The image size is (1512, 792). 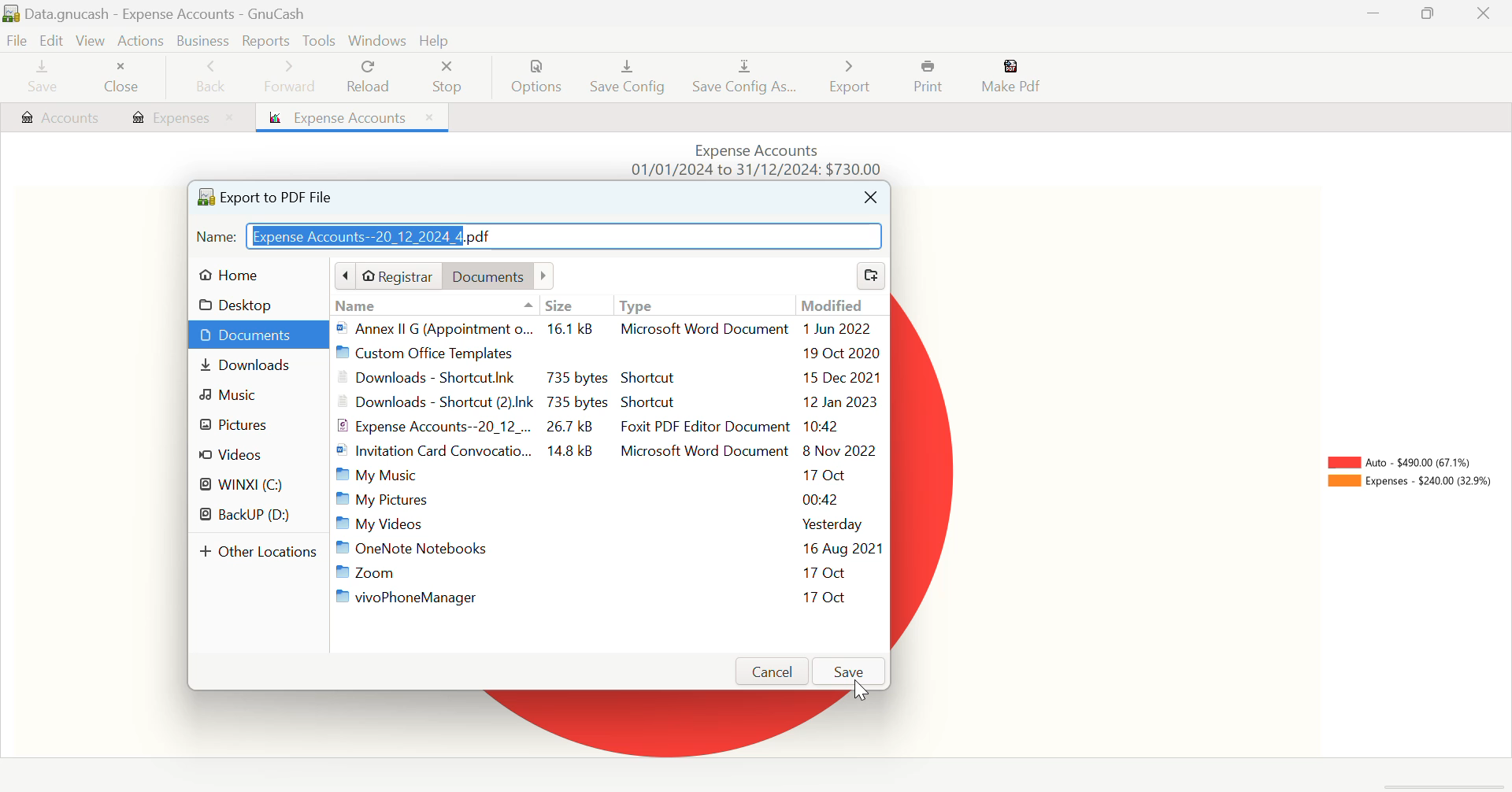 I want to click on BackUP, so click(x=250, y=516).